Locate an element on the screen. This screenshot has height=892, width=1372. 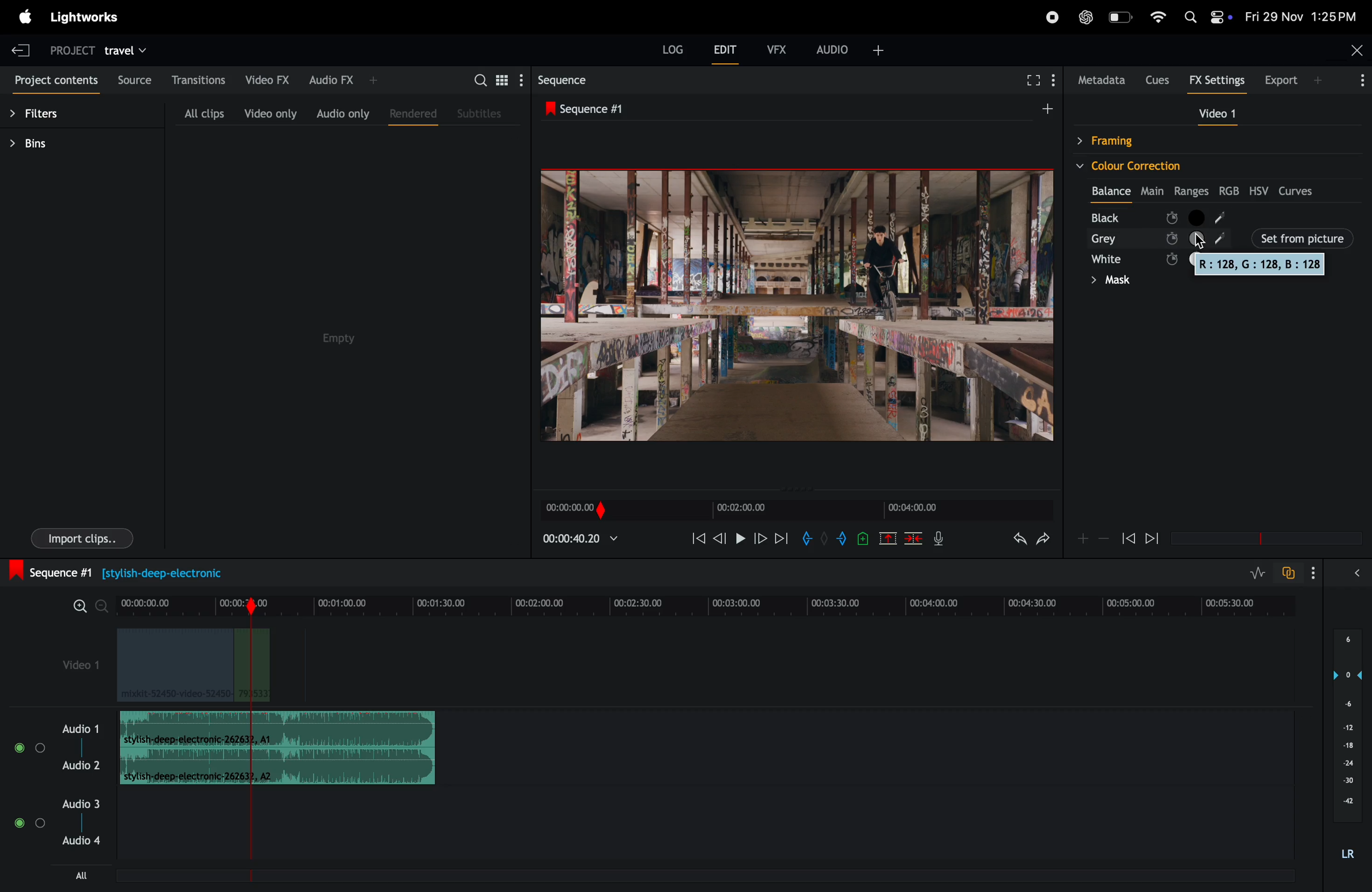
forward play is located at coordinates (782, 541).